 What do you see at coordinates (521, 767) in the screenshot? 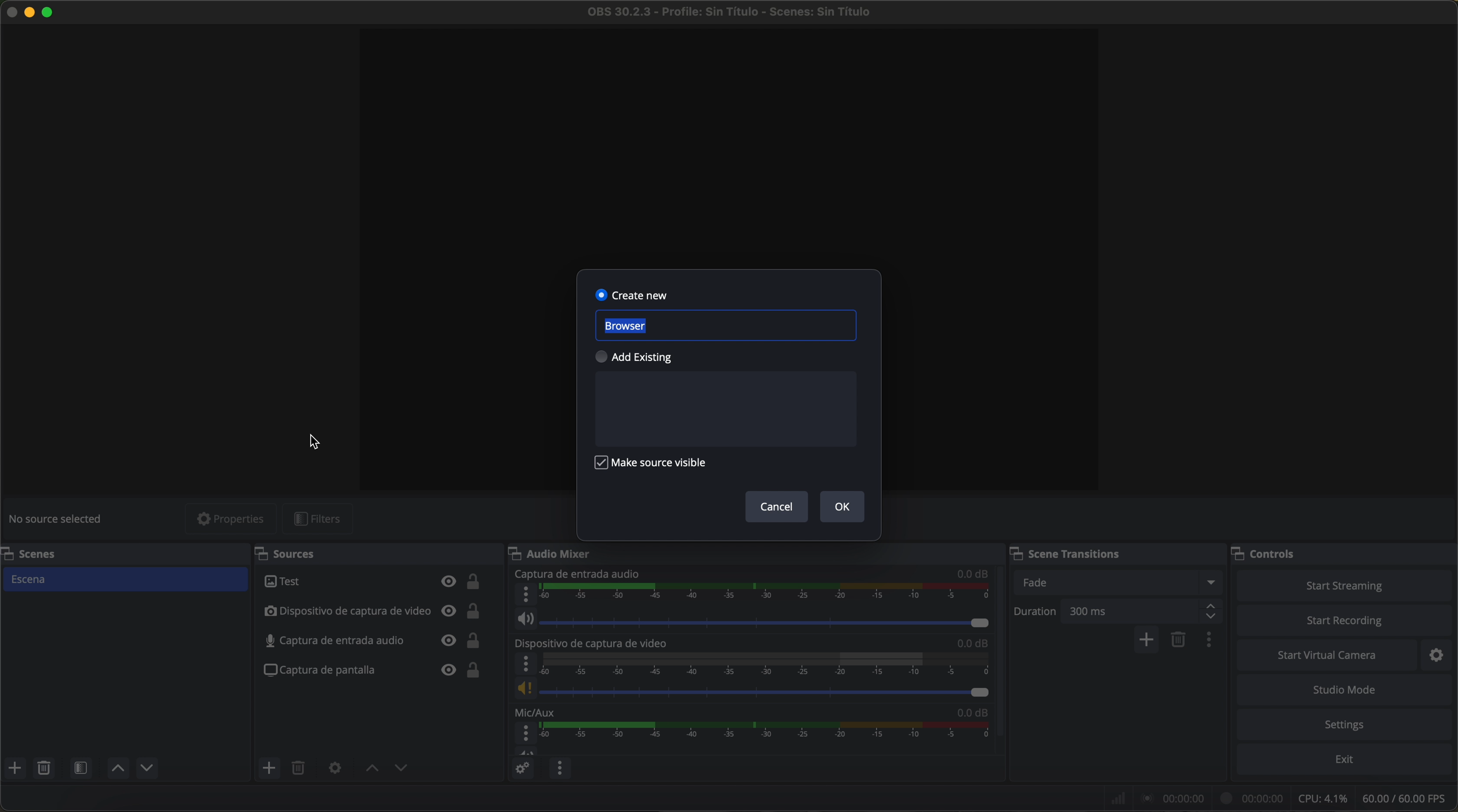
I see `advanced audio properties` at bounding box center [521, 767].